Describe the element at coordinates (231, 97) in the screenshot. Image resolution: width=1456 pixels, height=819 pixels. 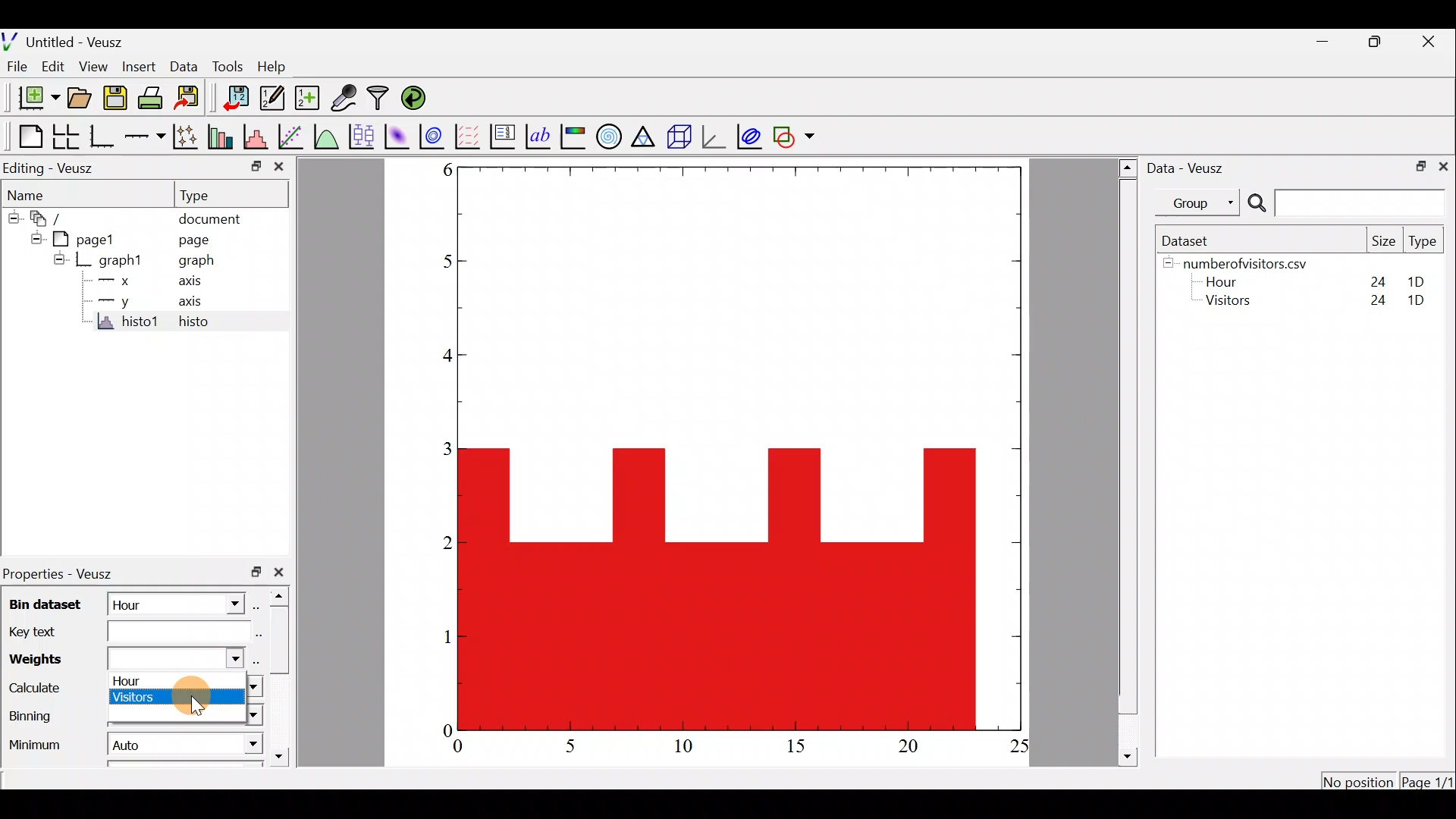
I see `import data into Veusz` at that location.